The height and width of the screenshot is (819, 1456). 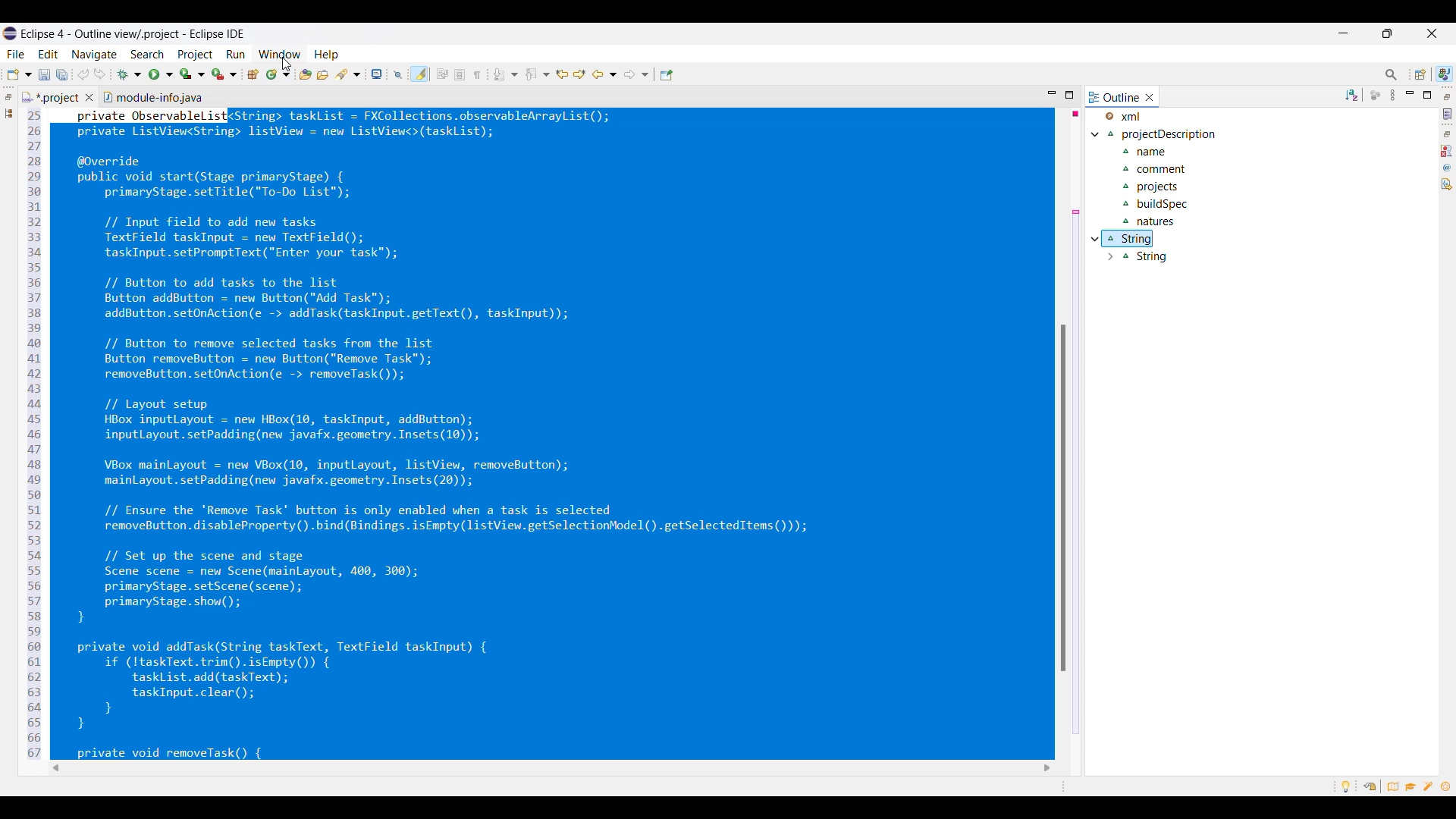 I want to click on Skip all breakpoints, so click(x=398, y=74).